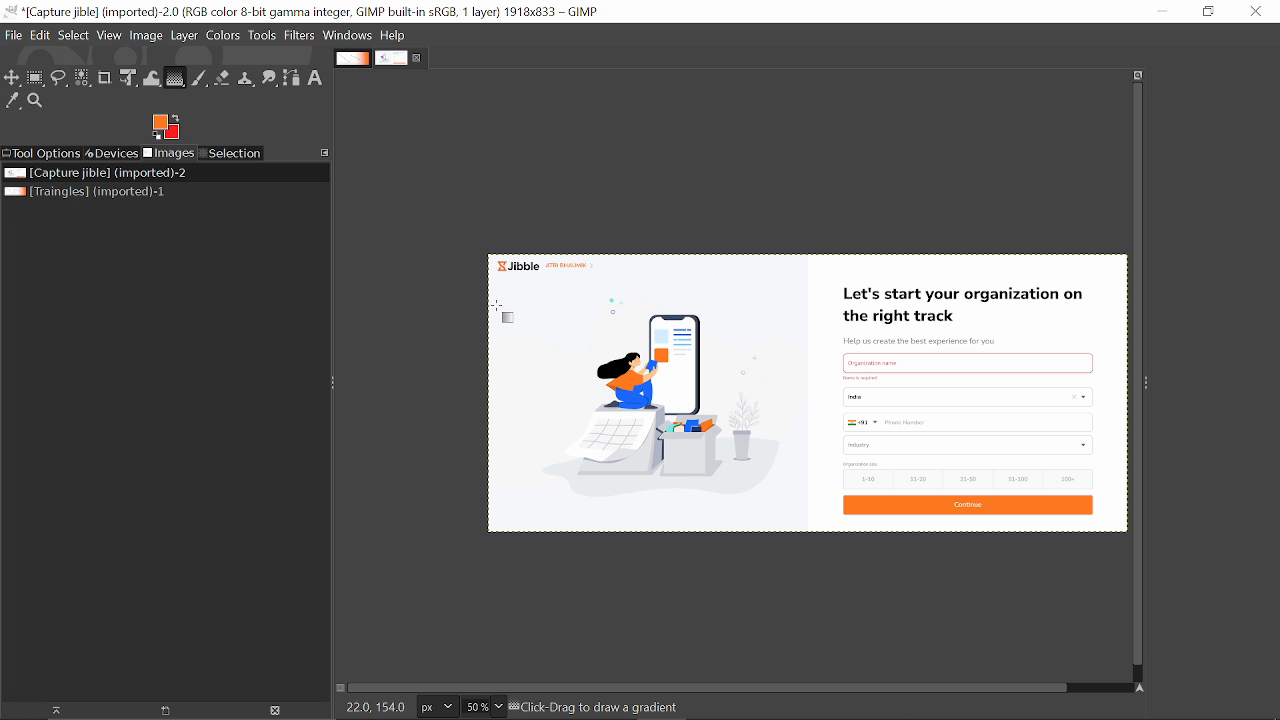  What do you see at coordinates (325, 153) in the screenshot?
I see `Configure this tab` at bounding box center [325, 153].